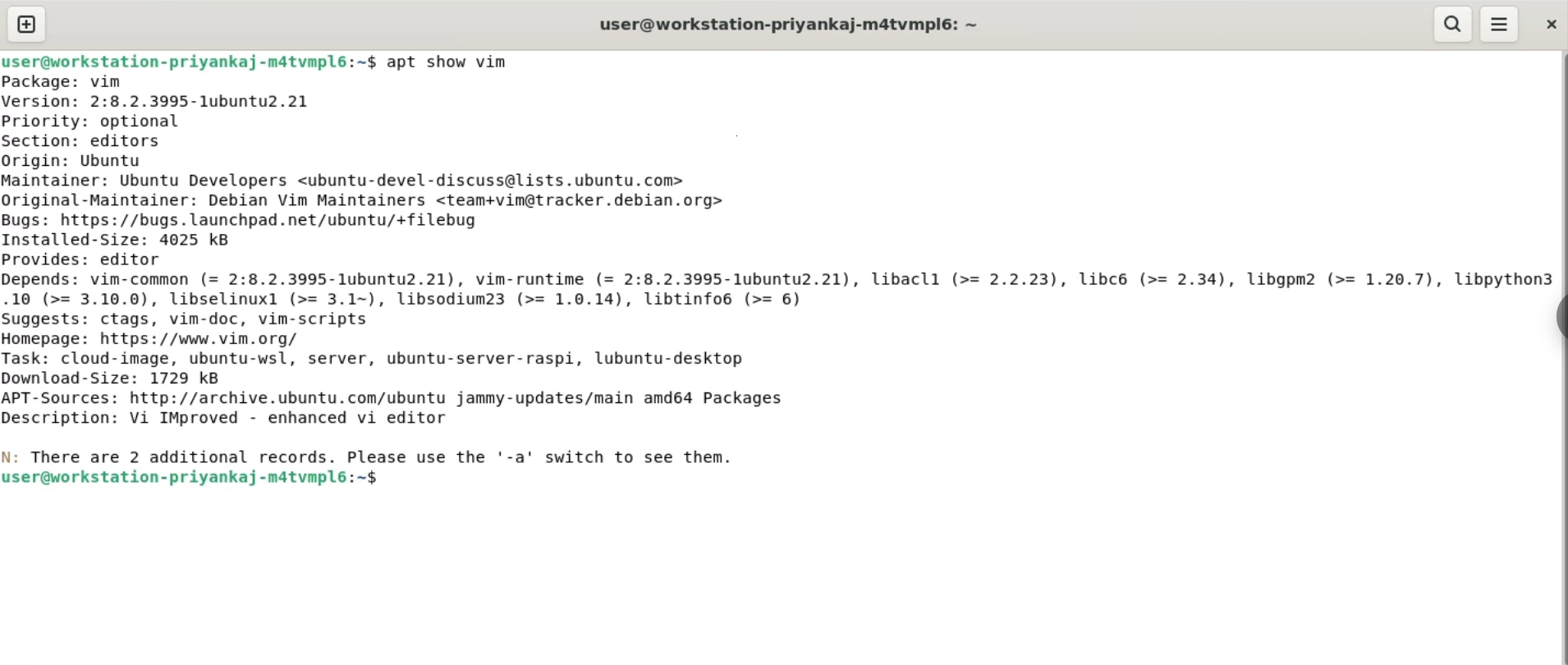  I want to click on apt show vim, so click(448, 62).